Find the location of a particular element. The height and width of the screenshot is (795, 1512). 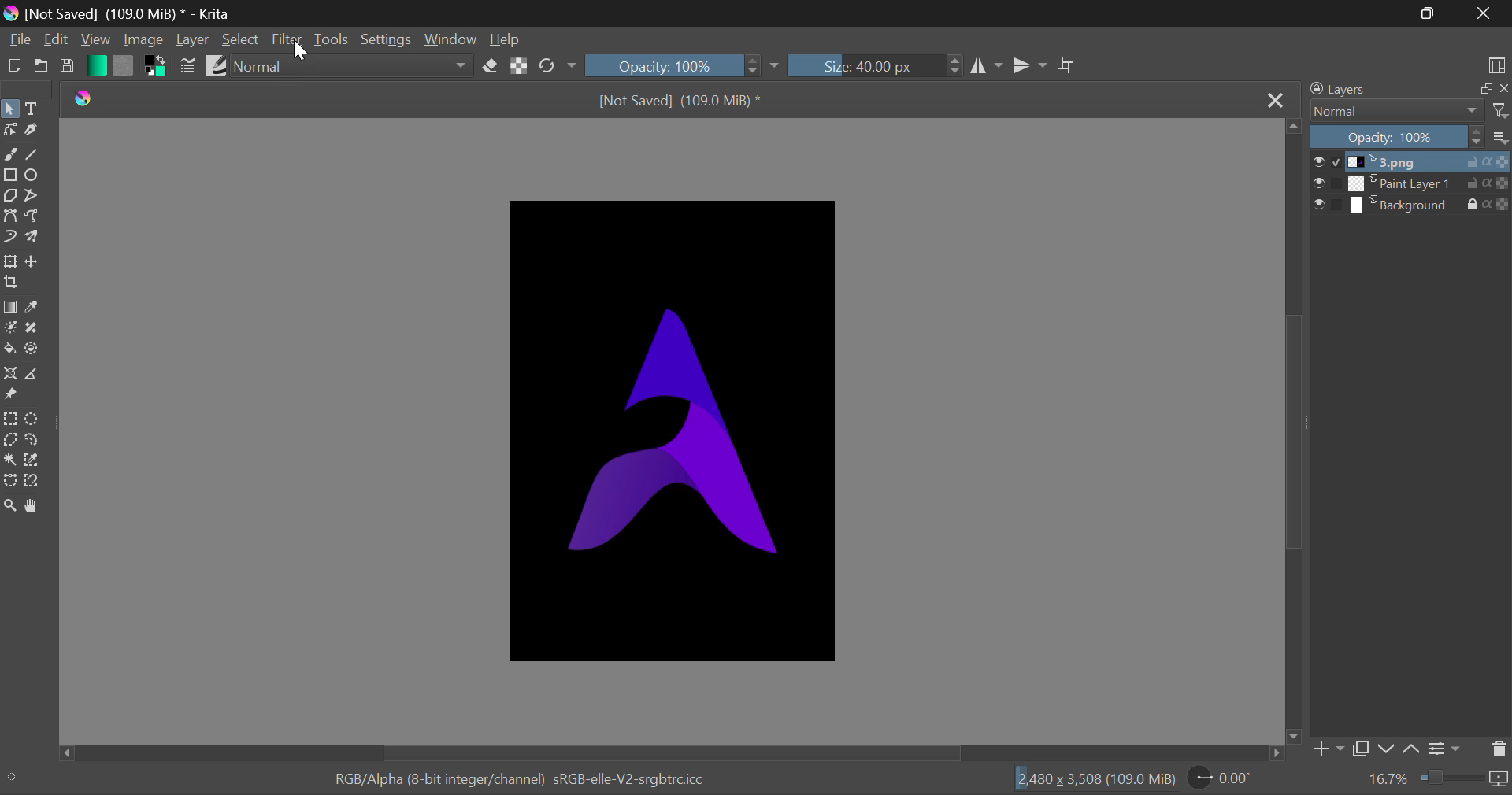

Restore Down is located at coordinates (1373, 13).